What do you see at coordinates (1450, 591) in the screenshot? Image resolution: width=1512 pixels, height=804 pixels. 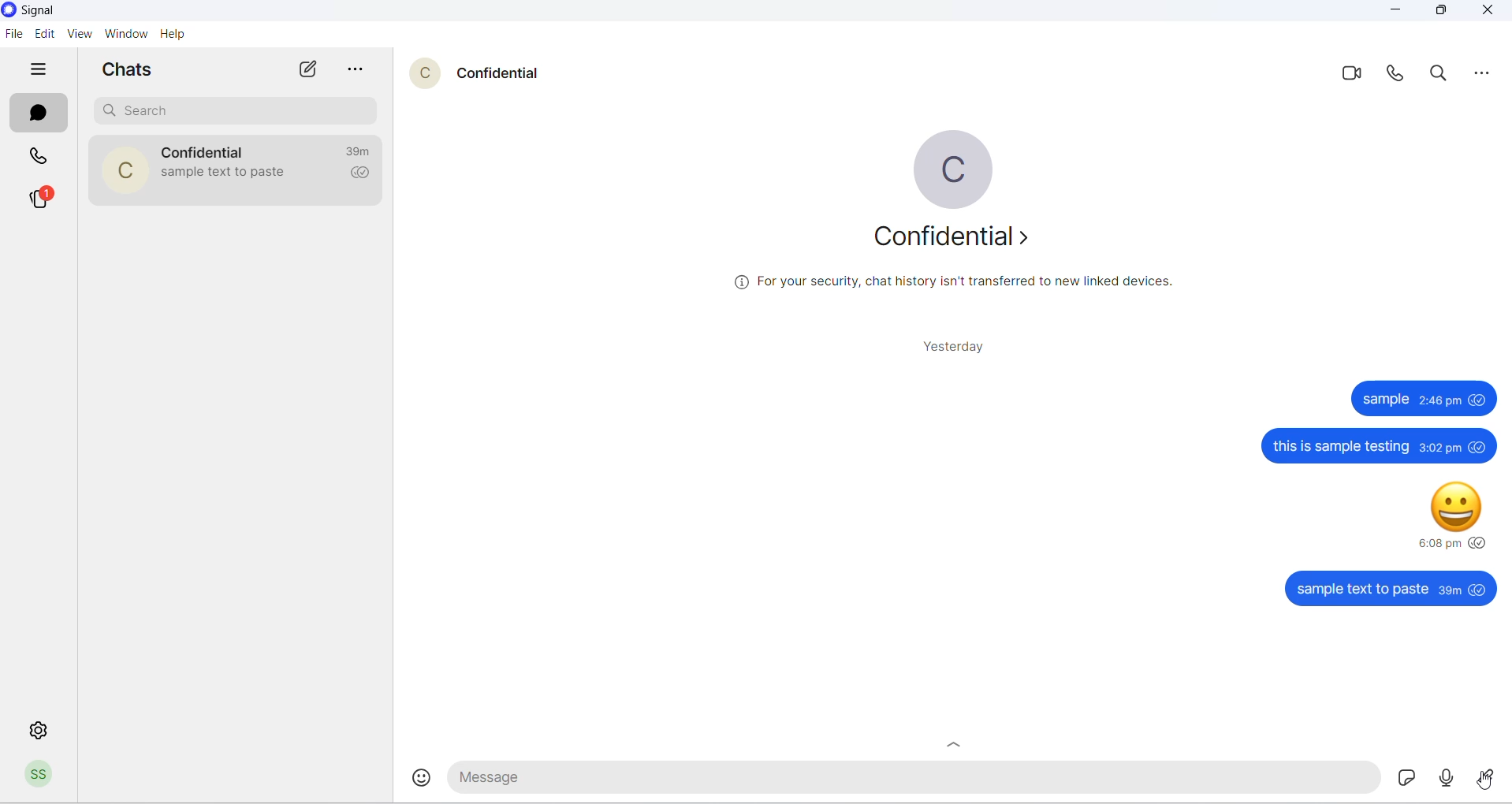 I see `39m` at bounding box center [1450, 591].